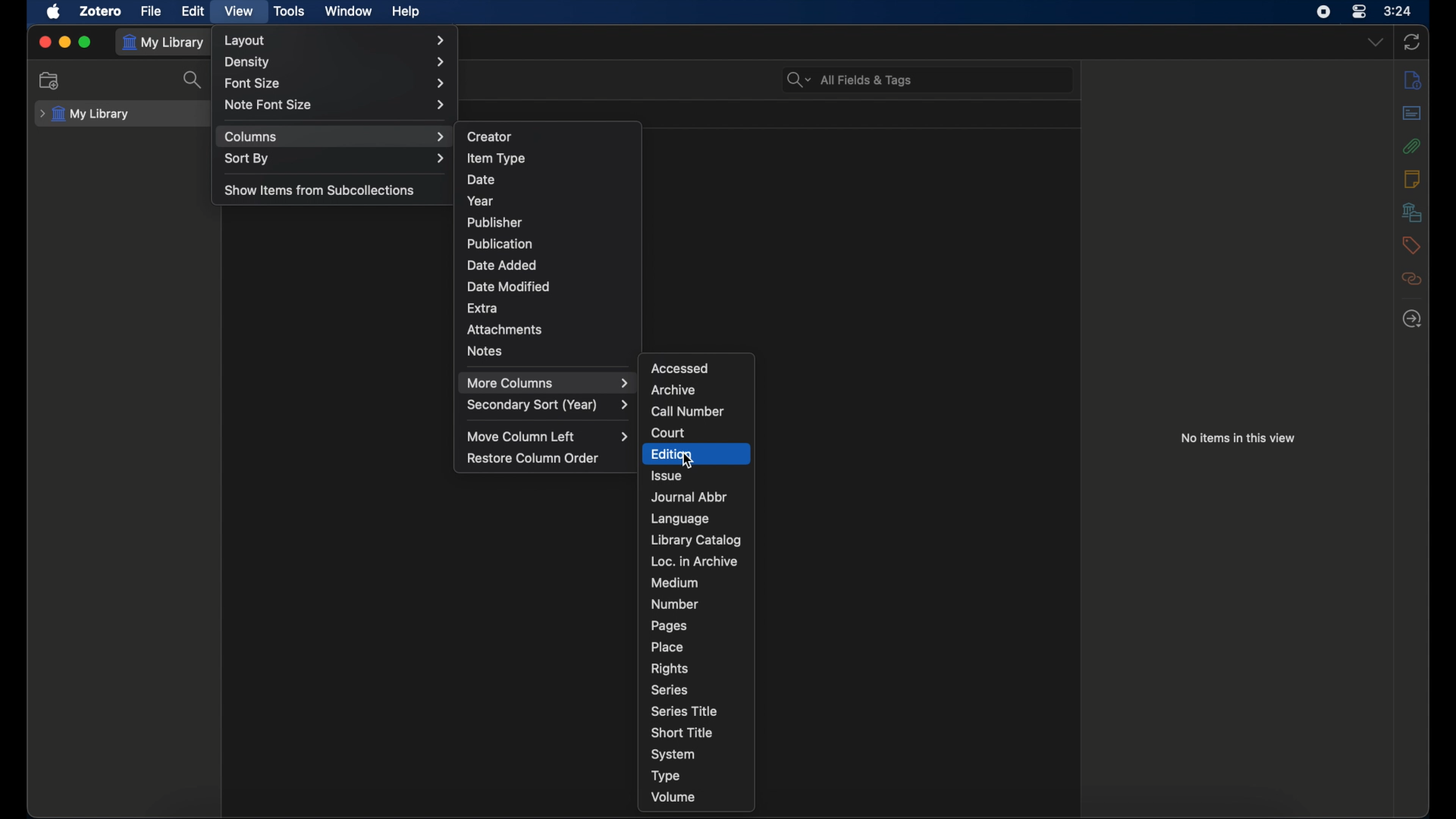 The image size is (1456, 819). Describe the element at coordinates (502, 265) in the screenshot. I see `date added` at that location.